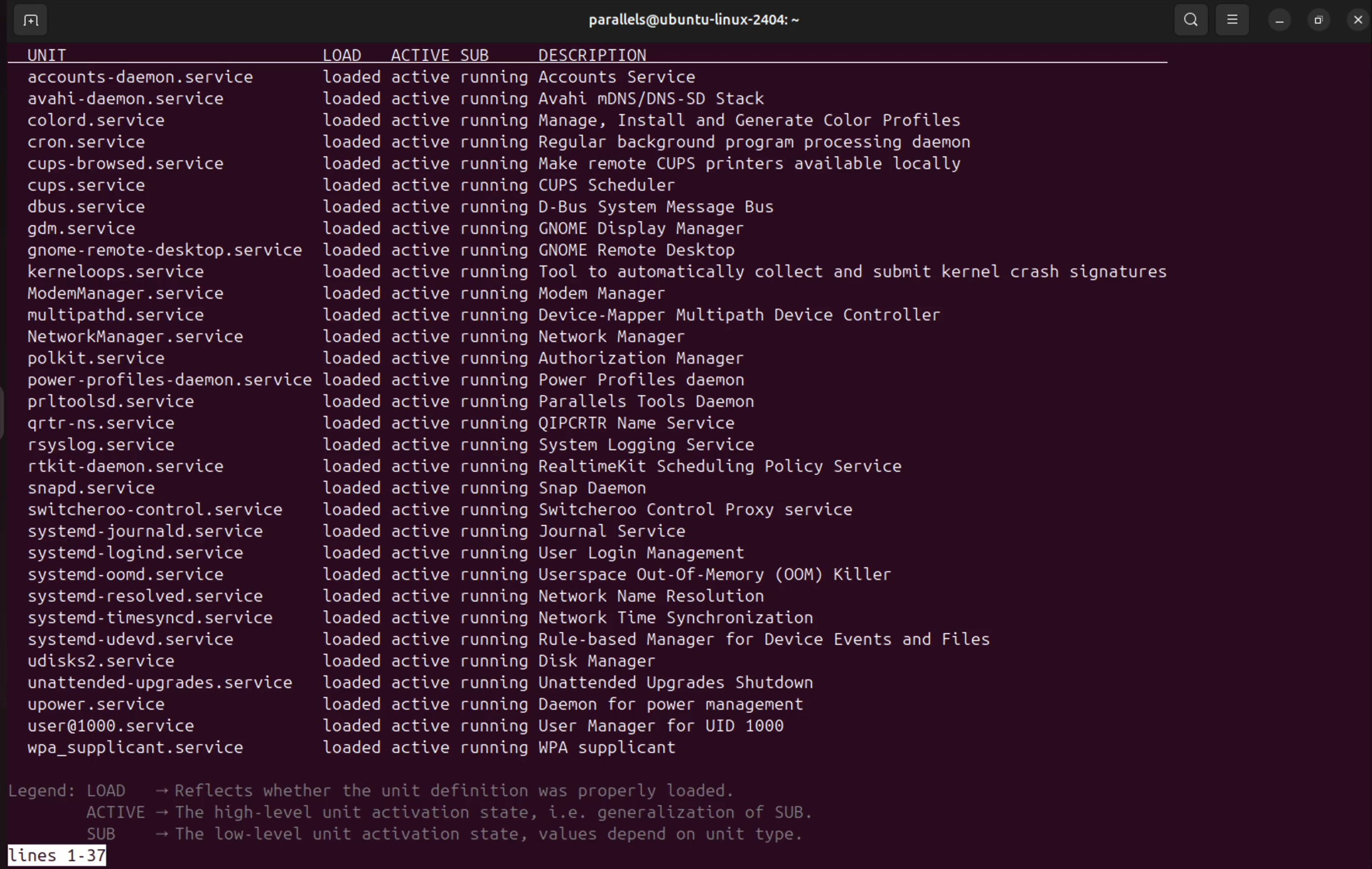 Image resolution: width=1372 pixels, height=869 pixels. What do you see at coordinates (33, 854) in the screenshot?
I see `lines 1/37` at bounding box center [33, 854].